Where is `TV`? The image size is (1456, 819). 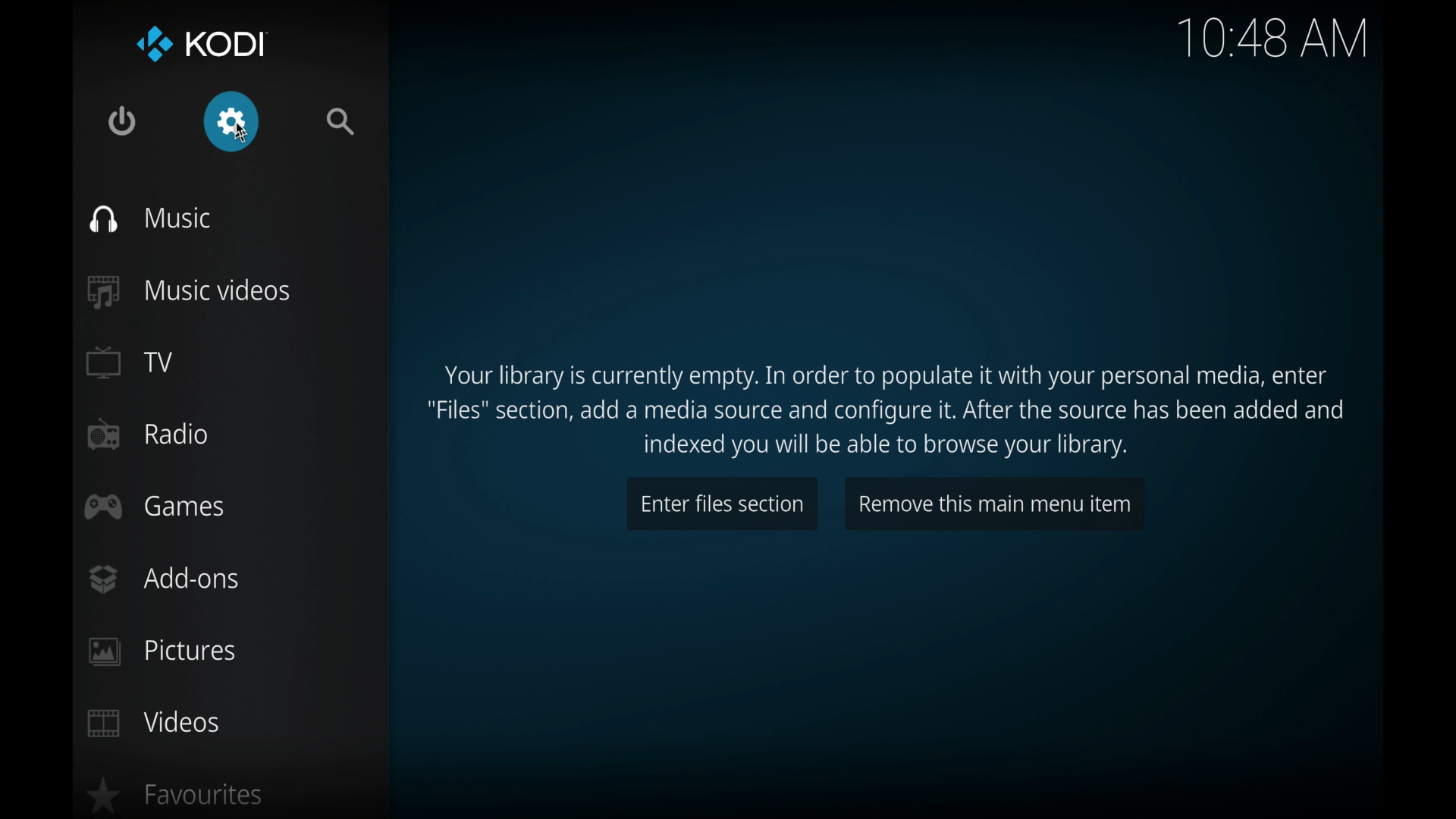 TV is located at coordinates (131, 362).